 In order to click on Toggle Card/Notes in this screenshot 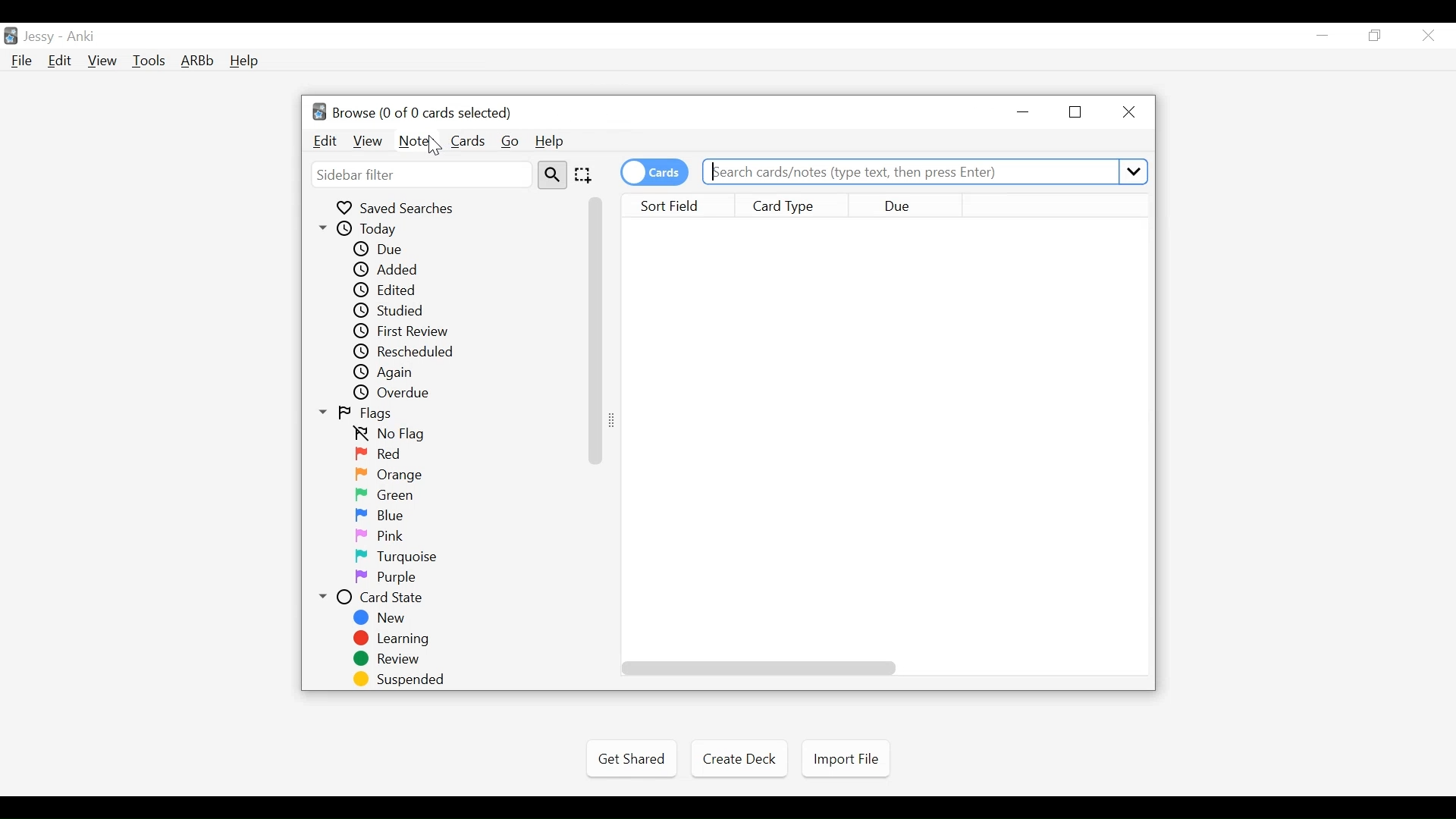, I will do `click(654, 172)`.